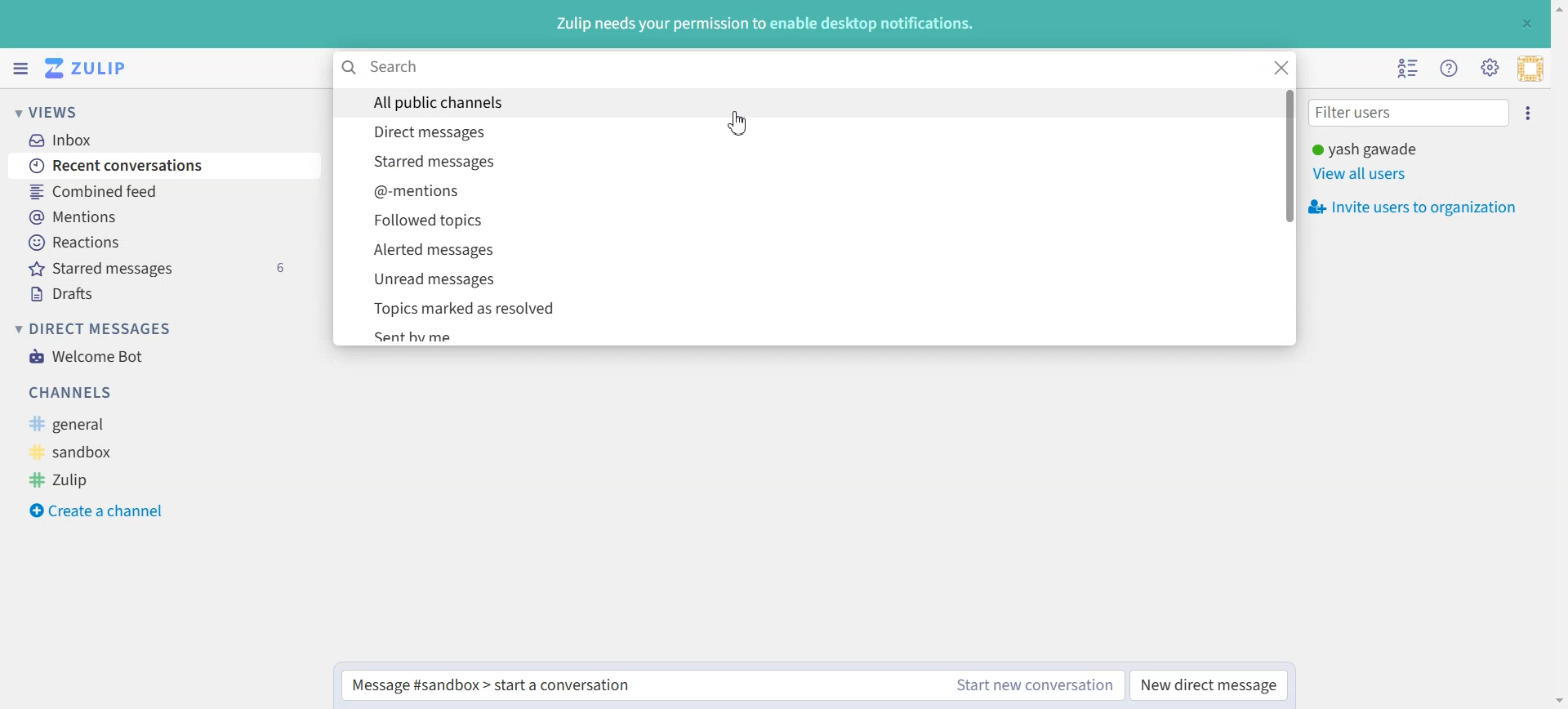 This screenshot has height=709, width=1568. What do you see at coordinates (1283, 66) in the screenshot?
I see `Close` at bounding box center [1283, 66].